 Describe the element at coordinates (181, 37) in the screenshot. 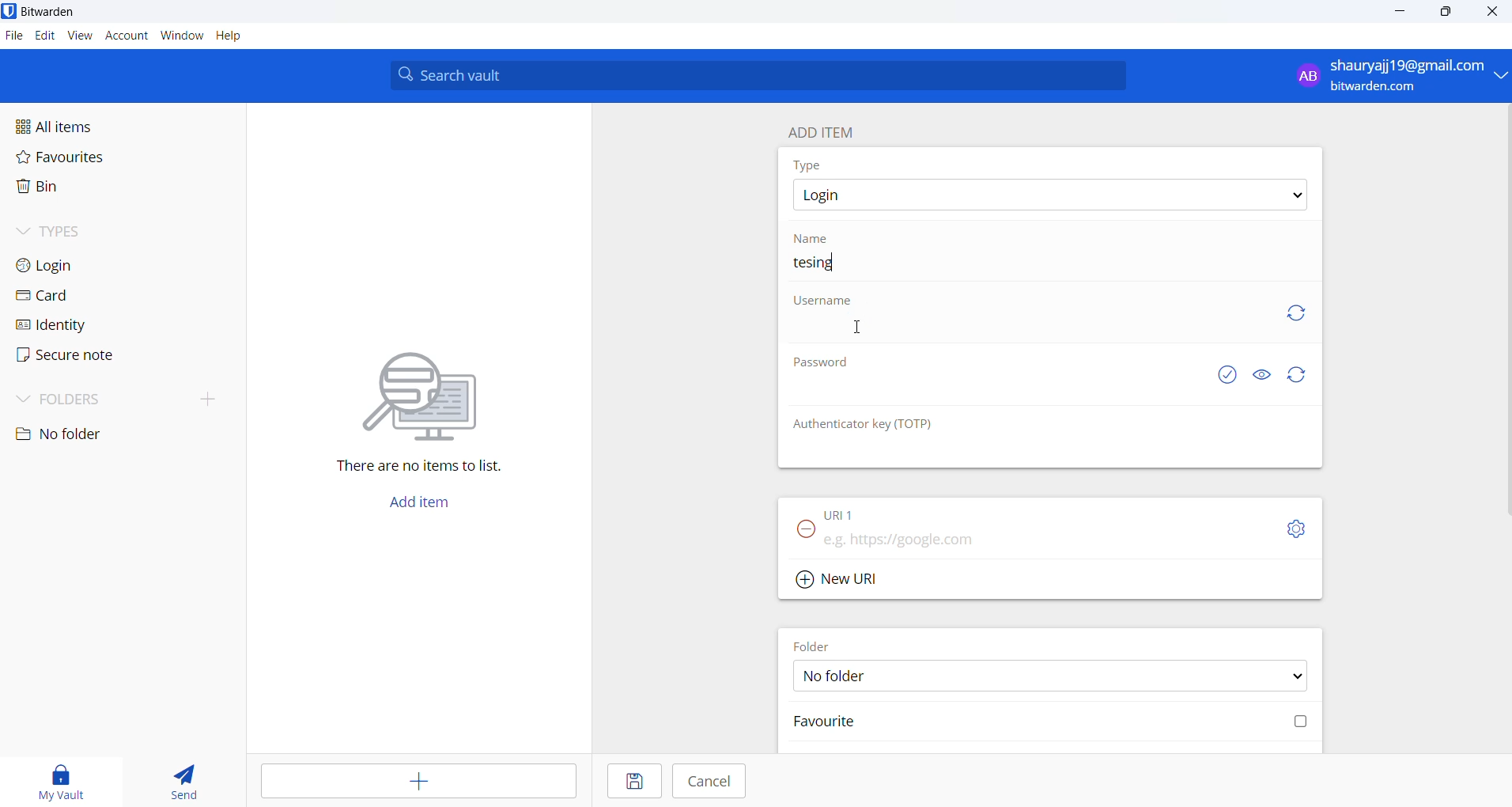

I see `window` at that location.